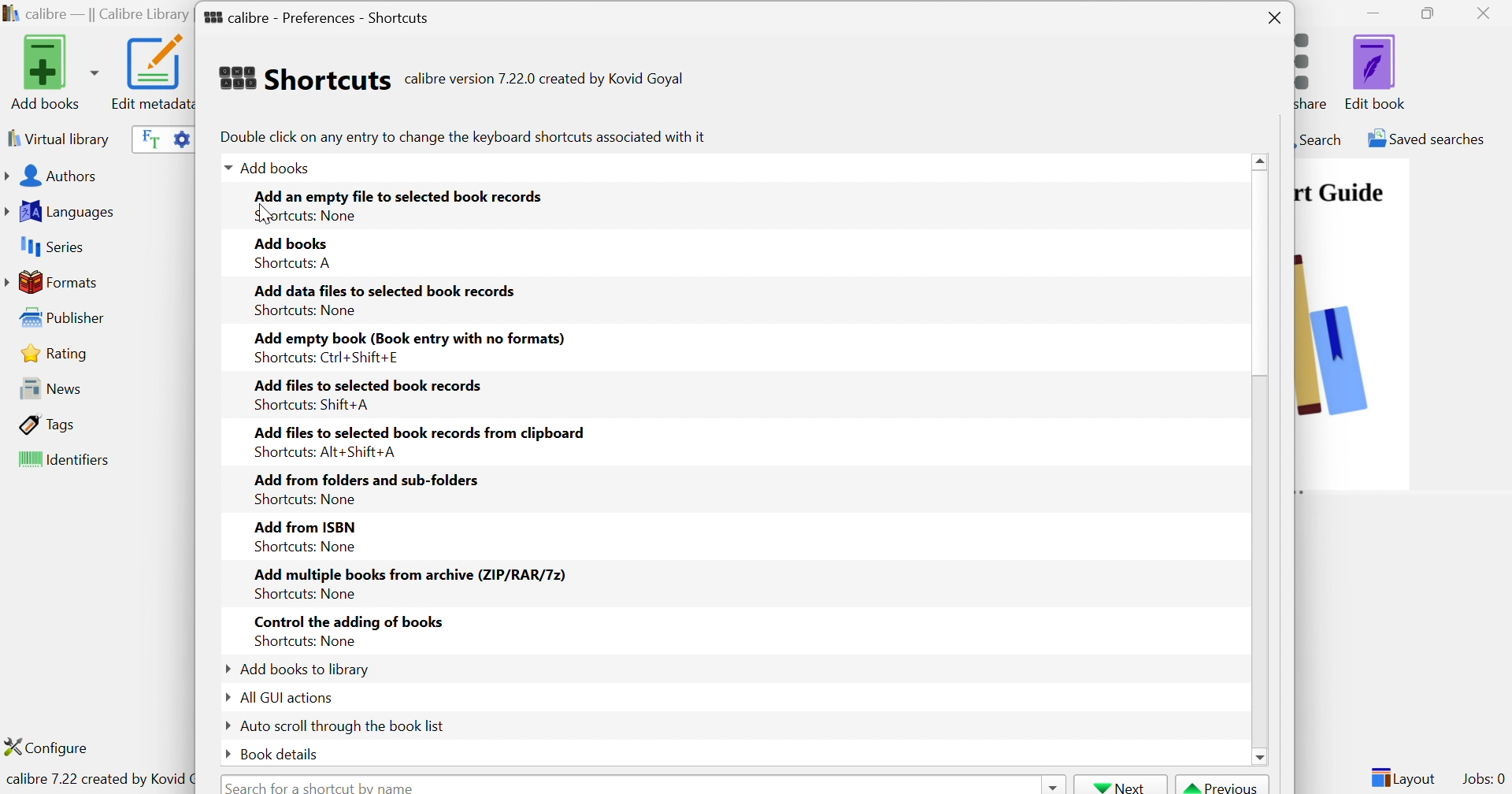 The height and width of the screenshot is (794, 1512). I want to click on Shortcuts: Alt+Shift+A, so click(328, 453).